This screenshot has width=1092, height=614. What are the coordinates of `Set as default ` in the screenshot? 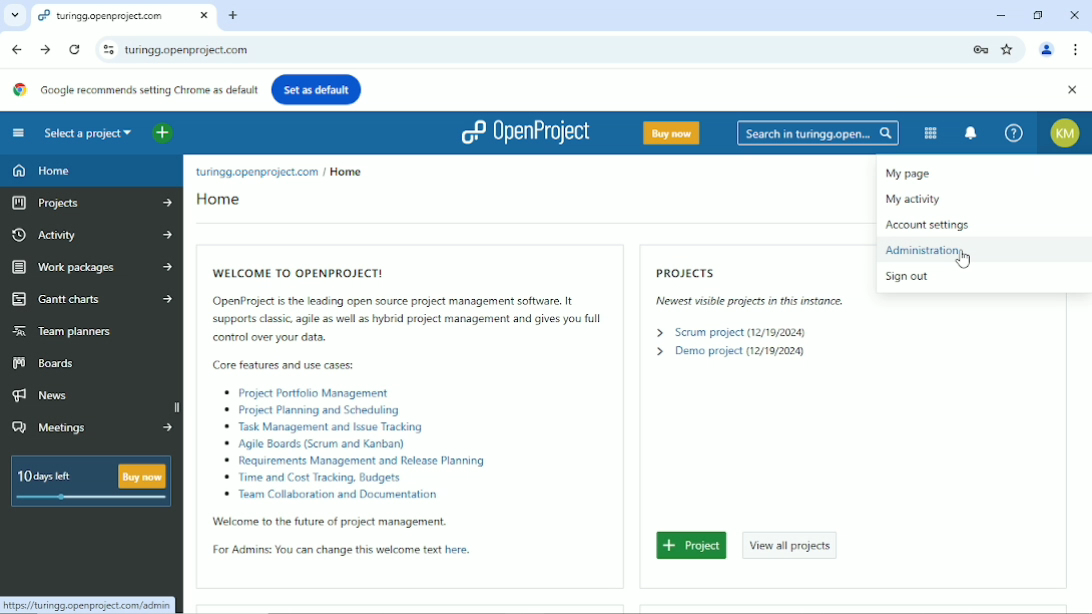 It's located at (317, 88).